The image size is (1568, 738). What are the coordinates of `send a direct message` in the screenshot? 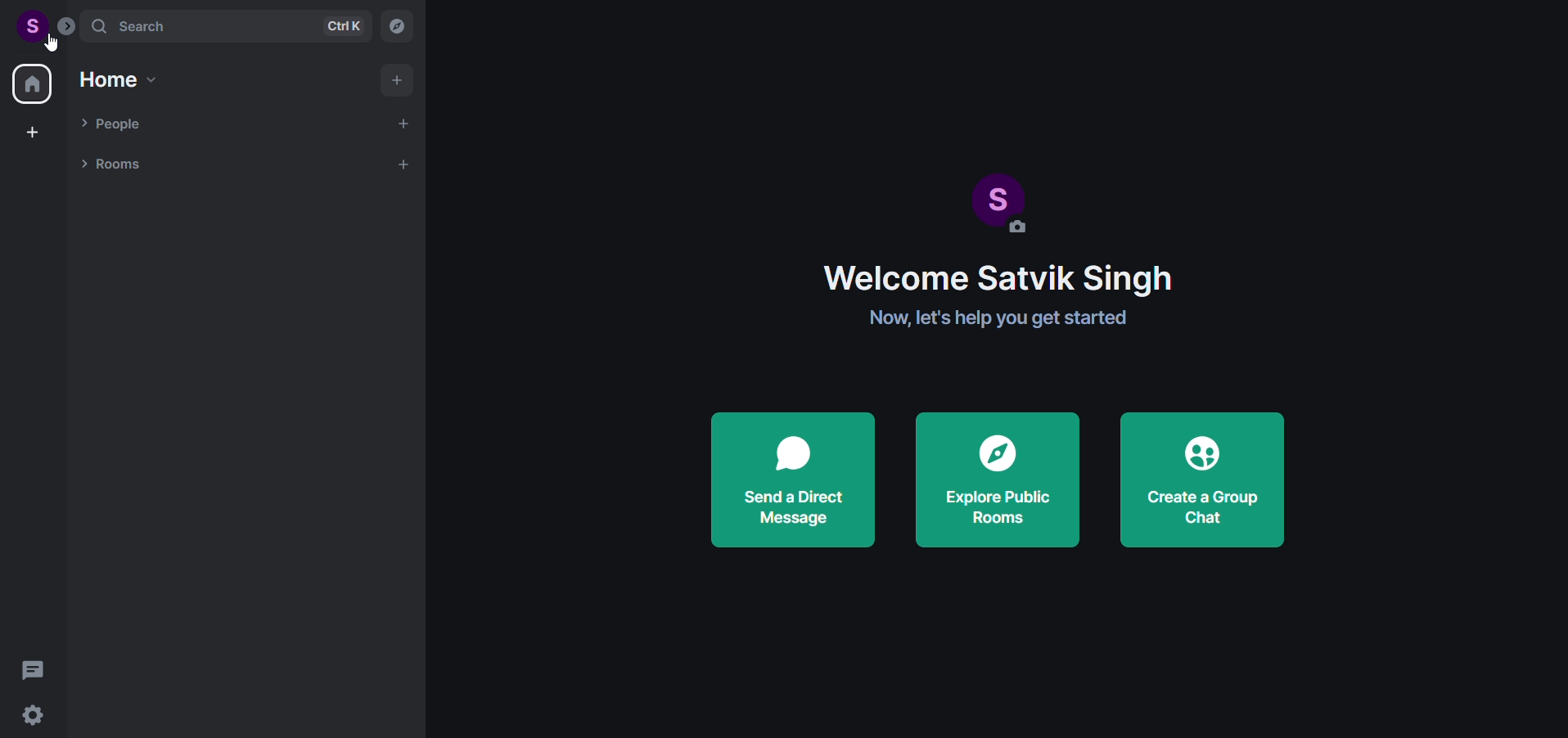 It's located at (788, 484).